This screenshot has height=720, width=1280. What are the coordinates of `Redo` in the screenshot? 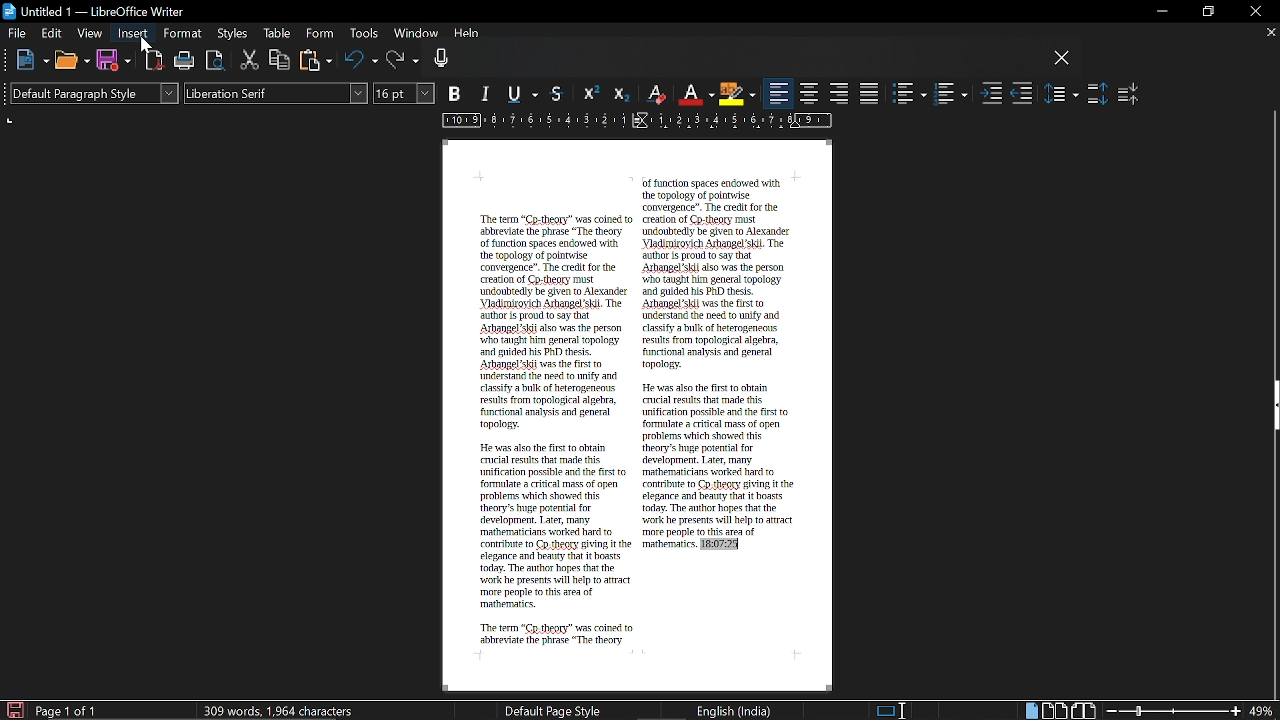 It's located at (403, 61).